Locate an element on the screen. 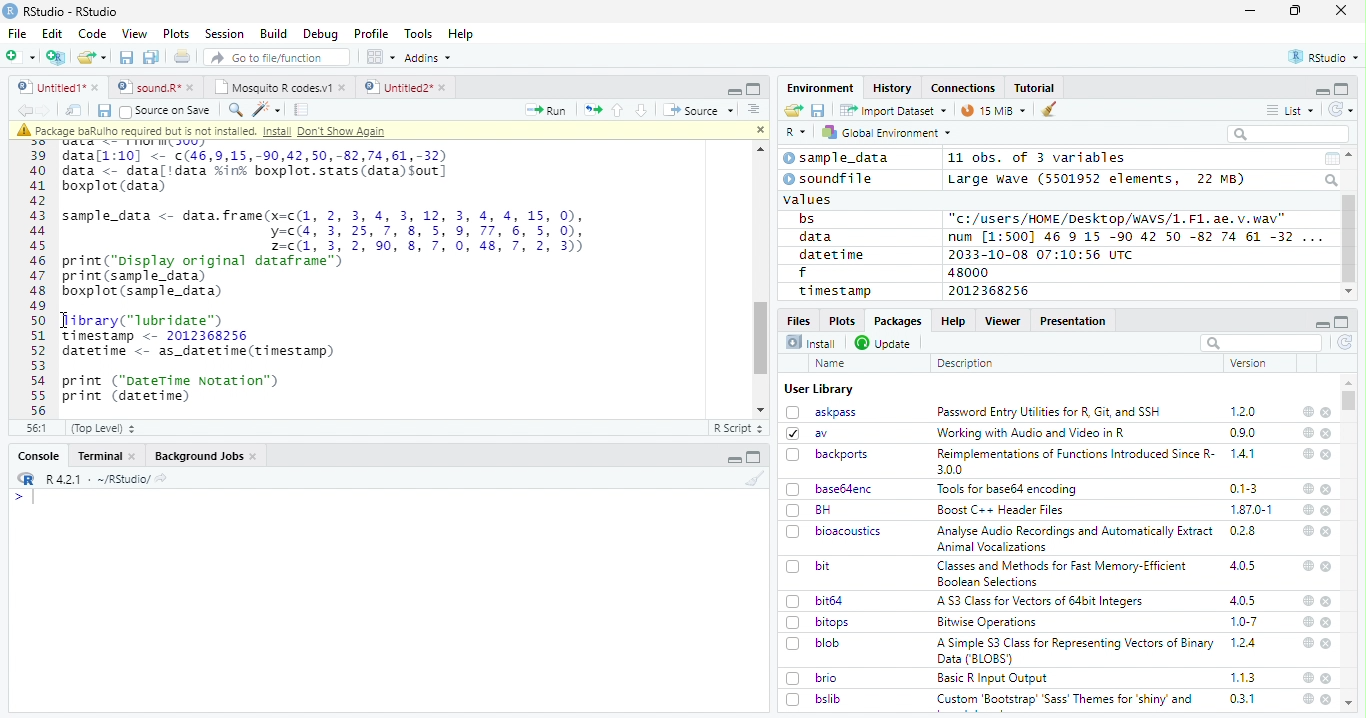 The height and width of the screenshot is (718, 1366). View is located at coordinates (135, 34).